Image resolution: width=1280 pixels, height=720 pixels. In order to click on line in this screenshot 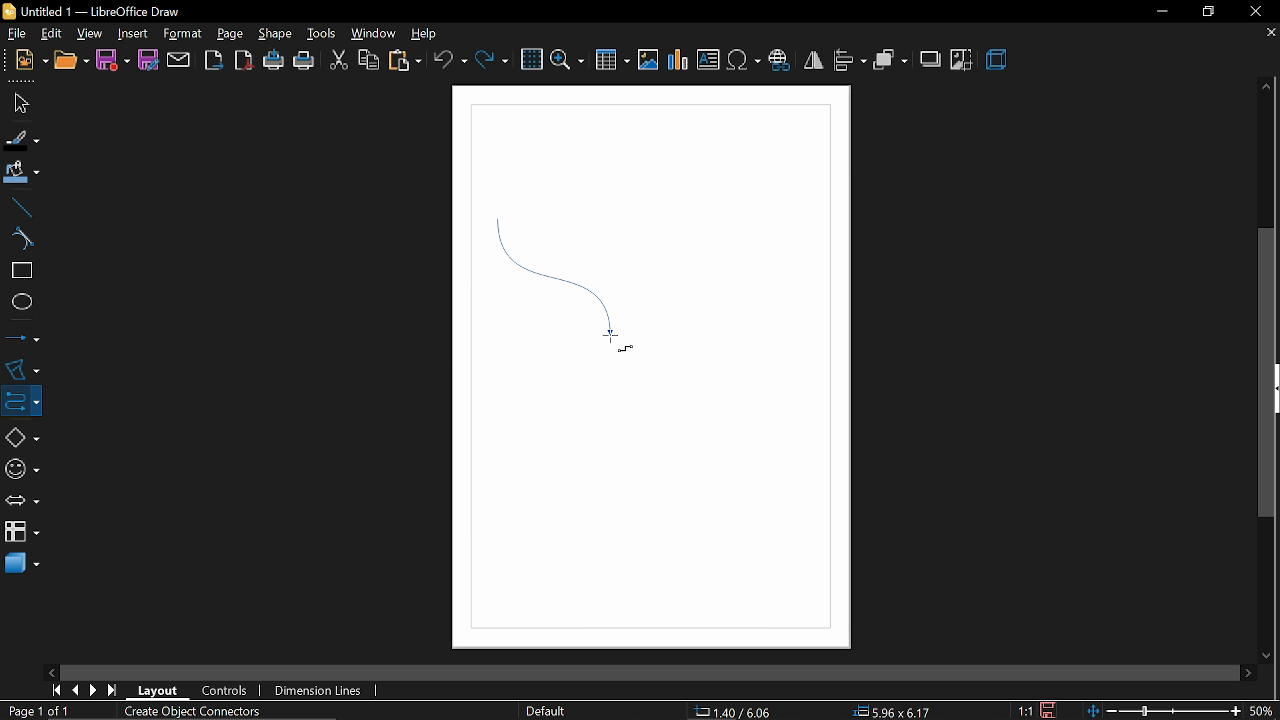, I will do `click(18, 205)`.